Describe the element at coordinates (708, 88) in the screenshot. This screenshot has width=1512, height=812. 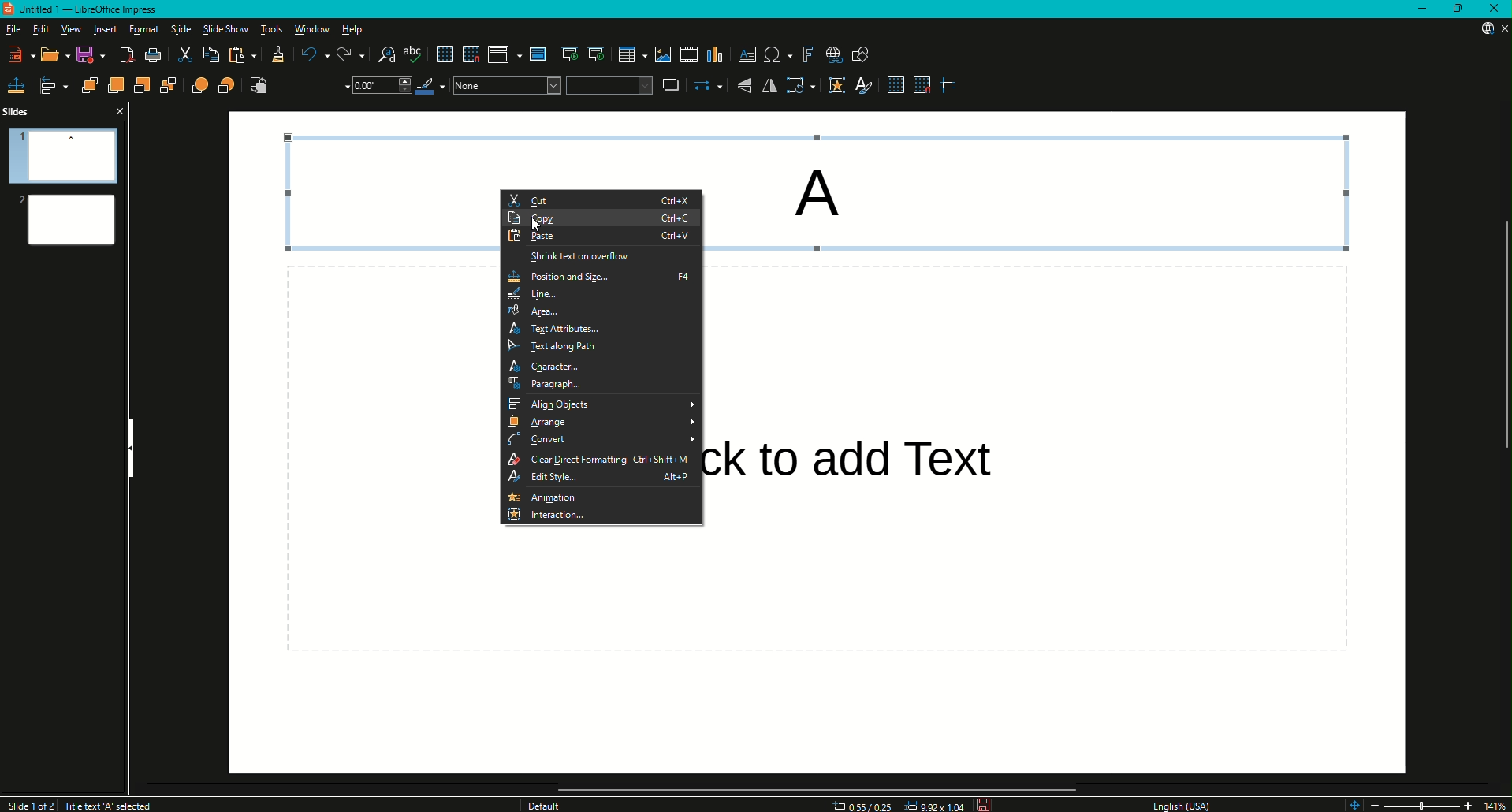
I see `Select Start and End` at that location.